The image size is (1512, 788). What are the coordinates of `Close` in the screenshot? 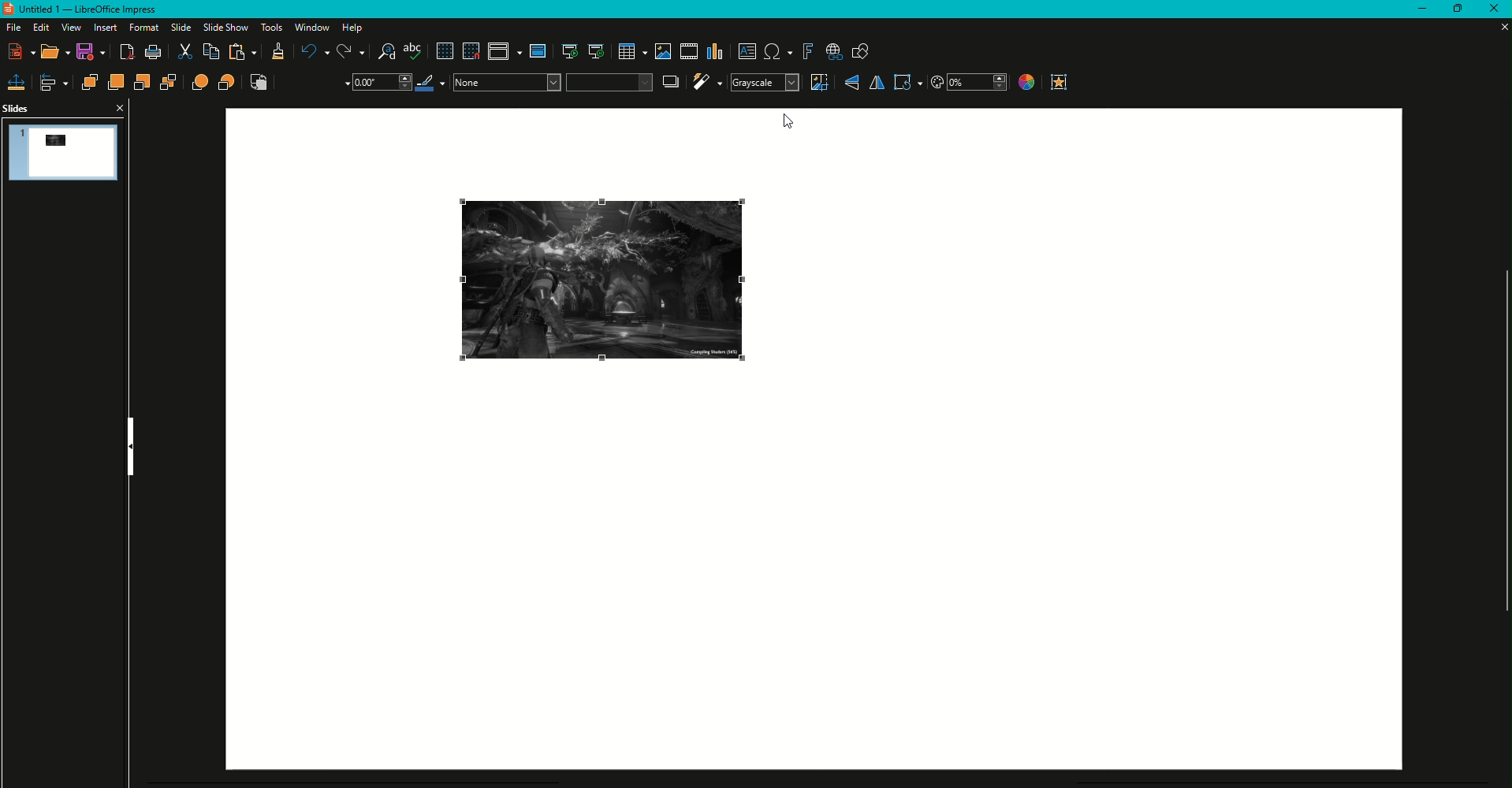 It's located at (1492, 9).